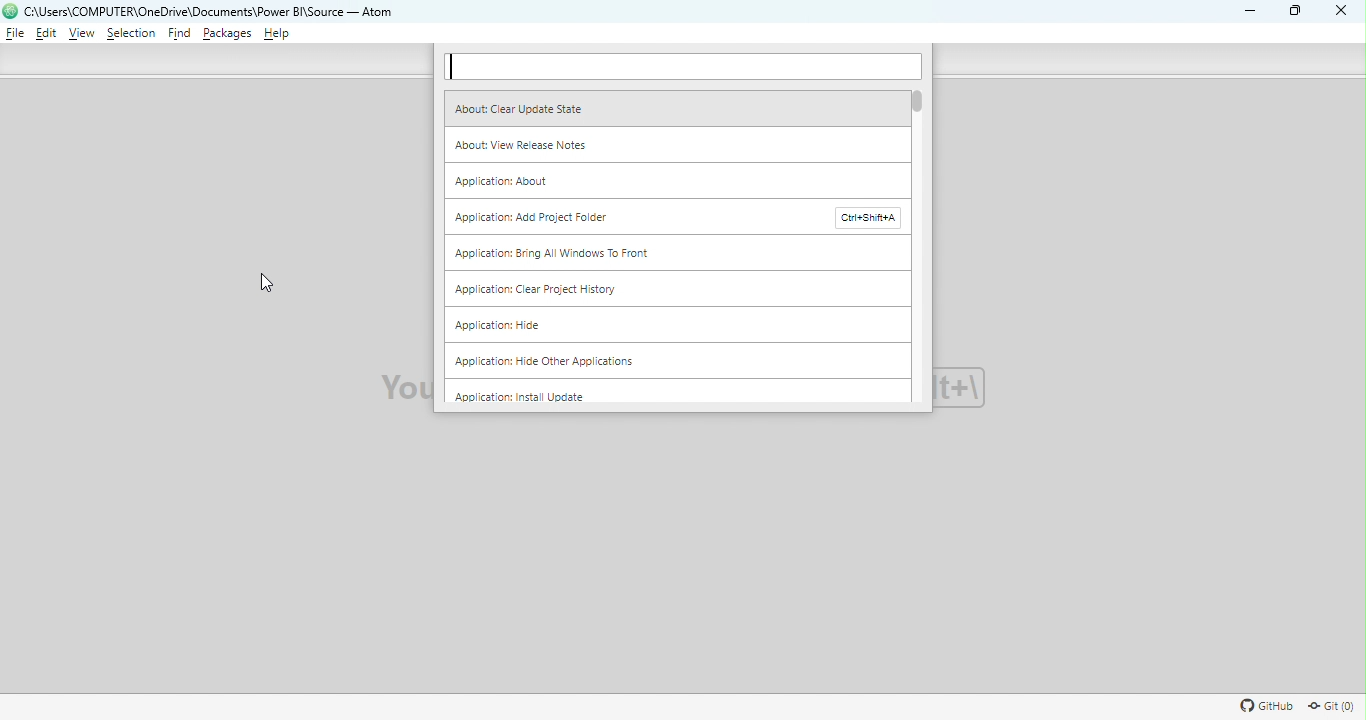  What do you see at coordinates (1337, 12) in the screenshot?
I see `close` at bounding box center [1337, 12].